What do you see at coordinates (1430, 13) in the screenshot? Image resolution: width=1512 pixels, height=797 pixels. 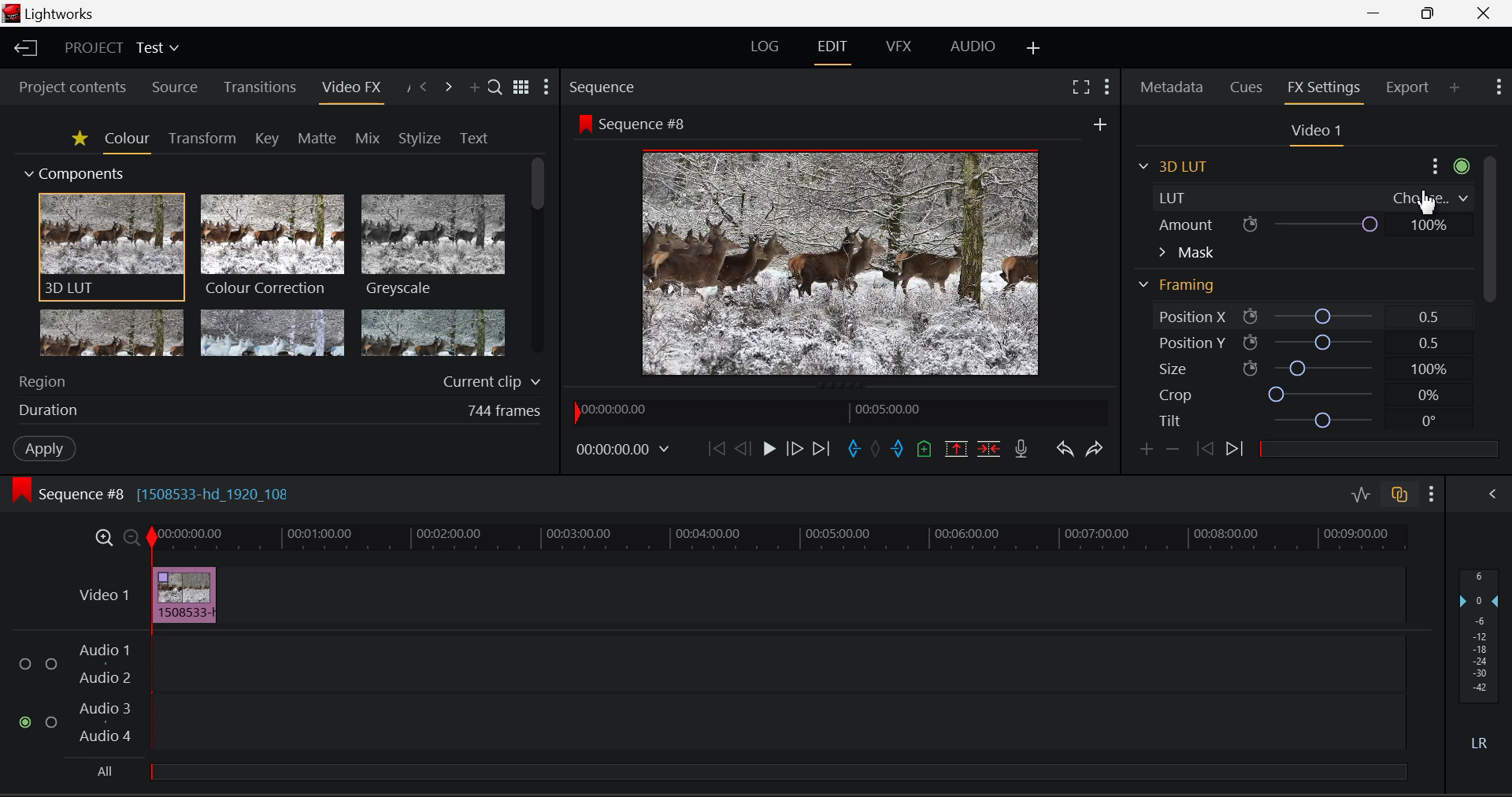 I see `Minimize` at bounding box center [1430, 13].